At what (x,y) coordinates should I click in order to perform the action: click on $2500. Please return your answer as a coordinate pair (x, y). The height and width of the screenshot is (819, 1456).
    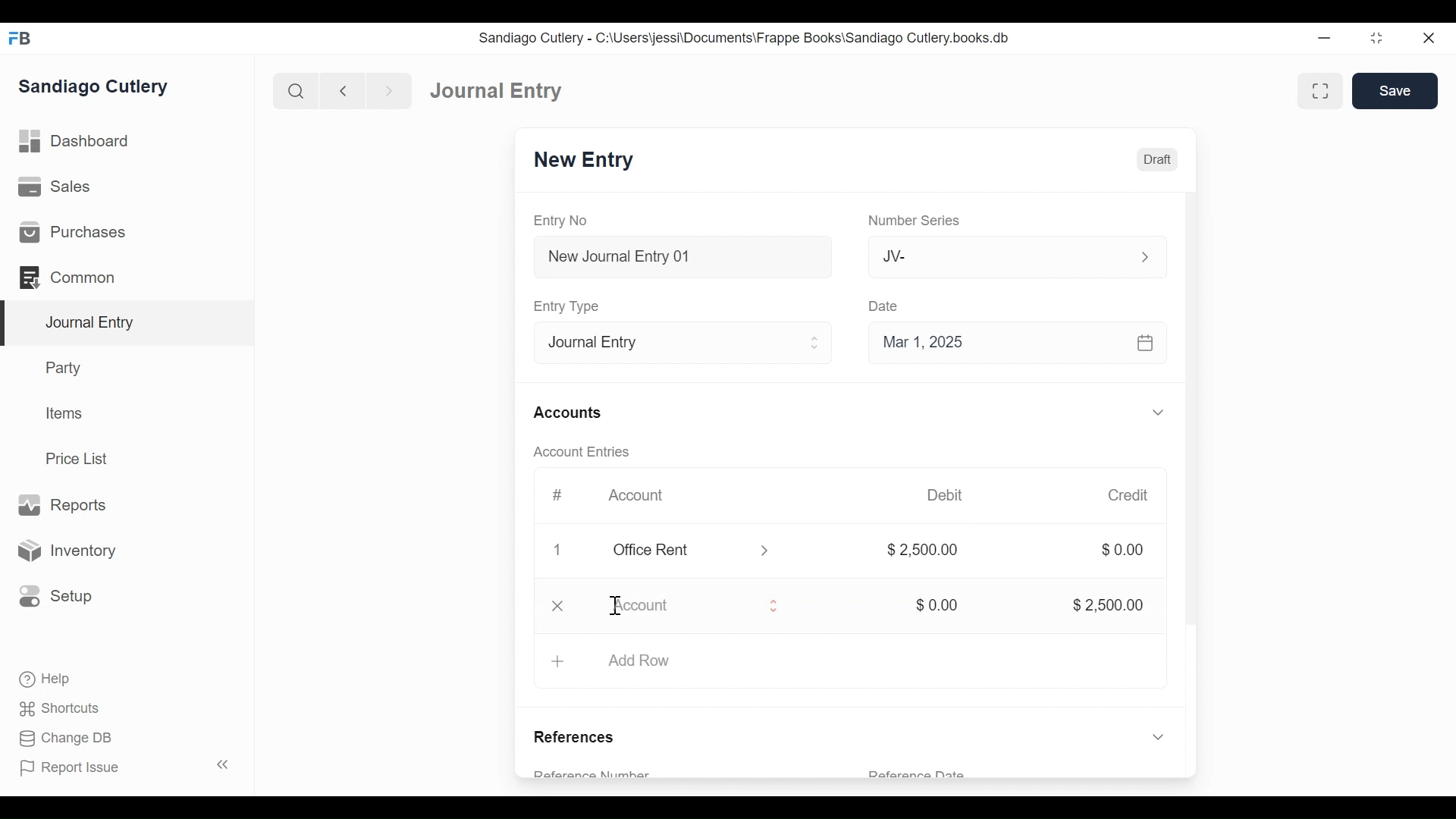
    Looking at the image, I should click on (924, 552).